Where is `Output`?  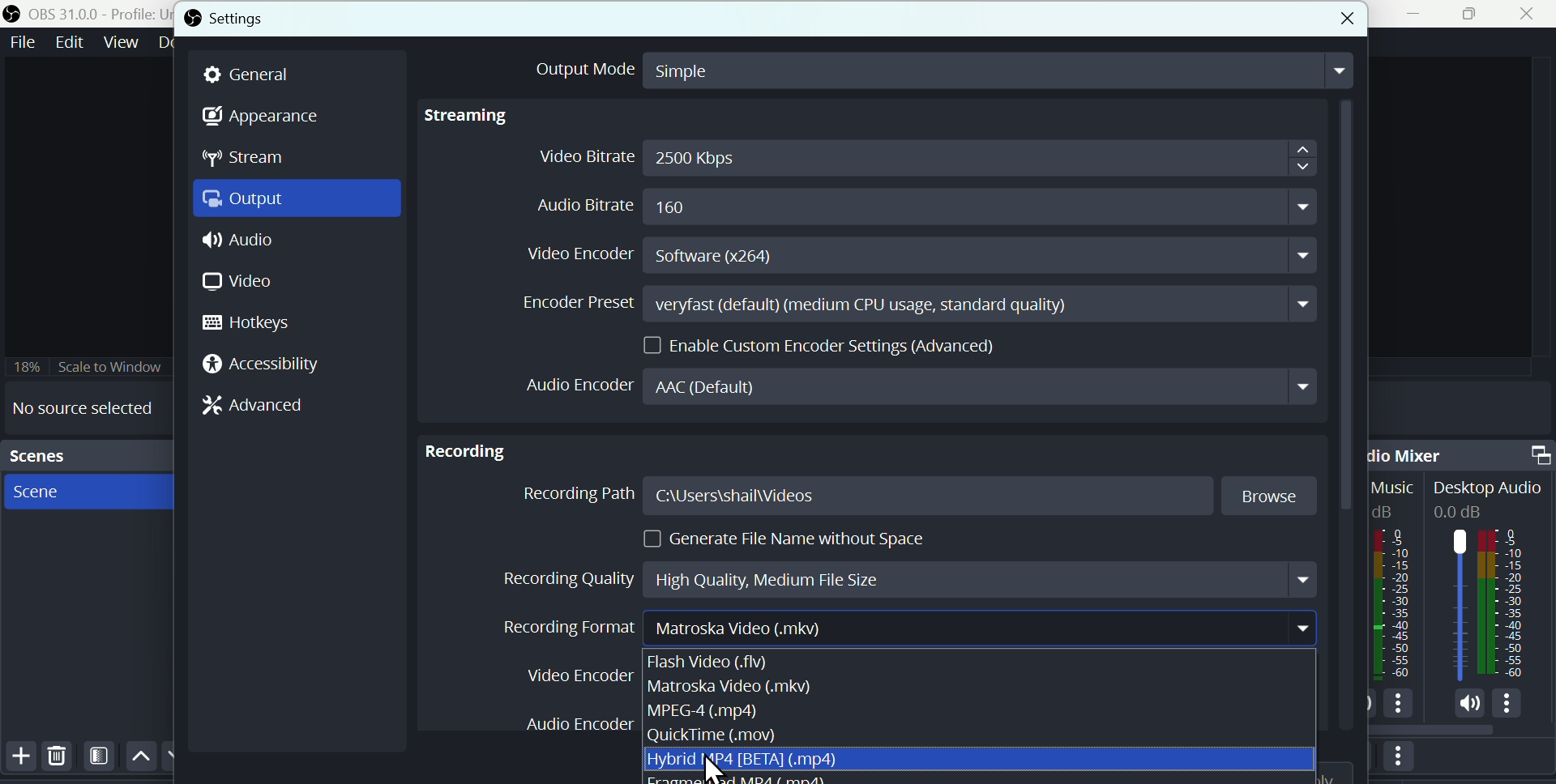 Output is located at coordinates (291, 197).